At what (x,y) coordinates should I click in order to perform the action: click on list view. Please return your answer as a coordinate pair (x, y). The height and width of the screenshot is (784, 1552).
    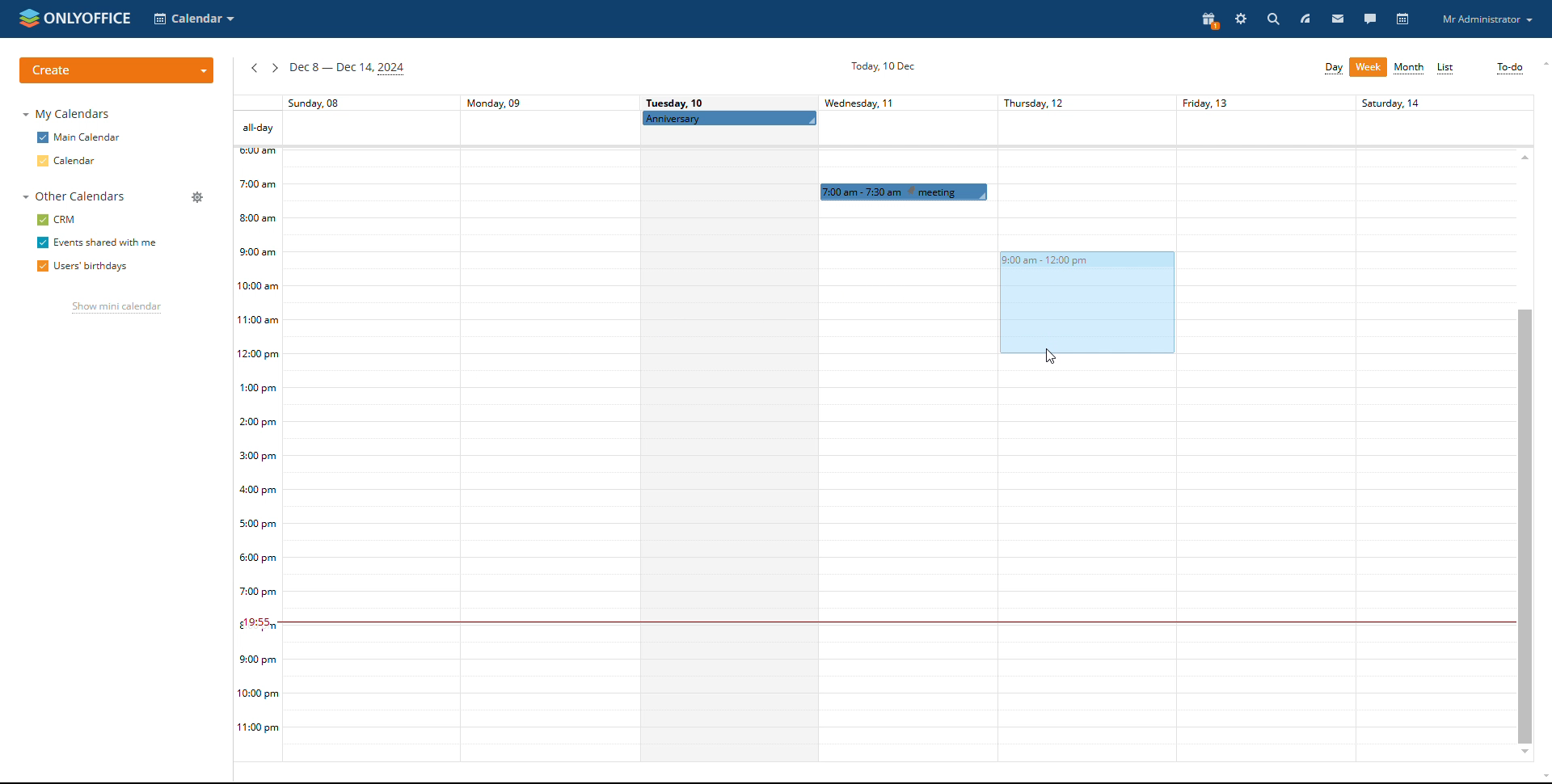
    Looking at the image, I should click on (1446, 69).